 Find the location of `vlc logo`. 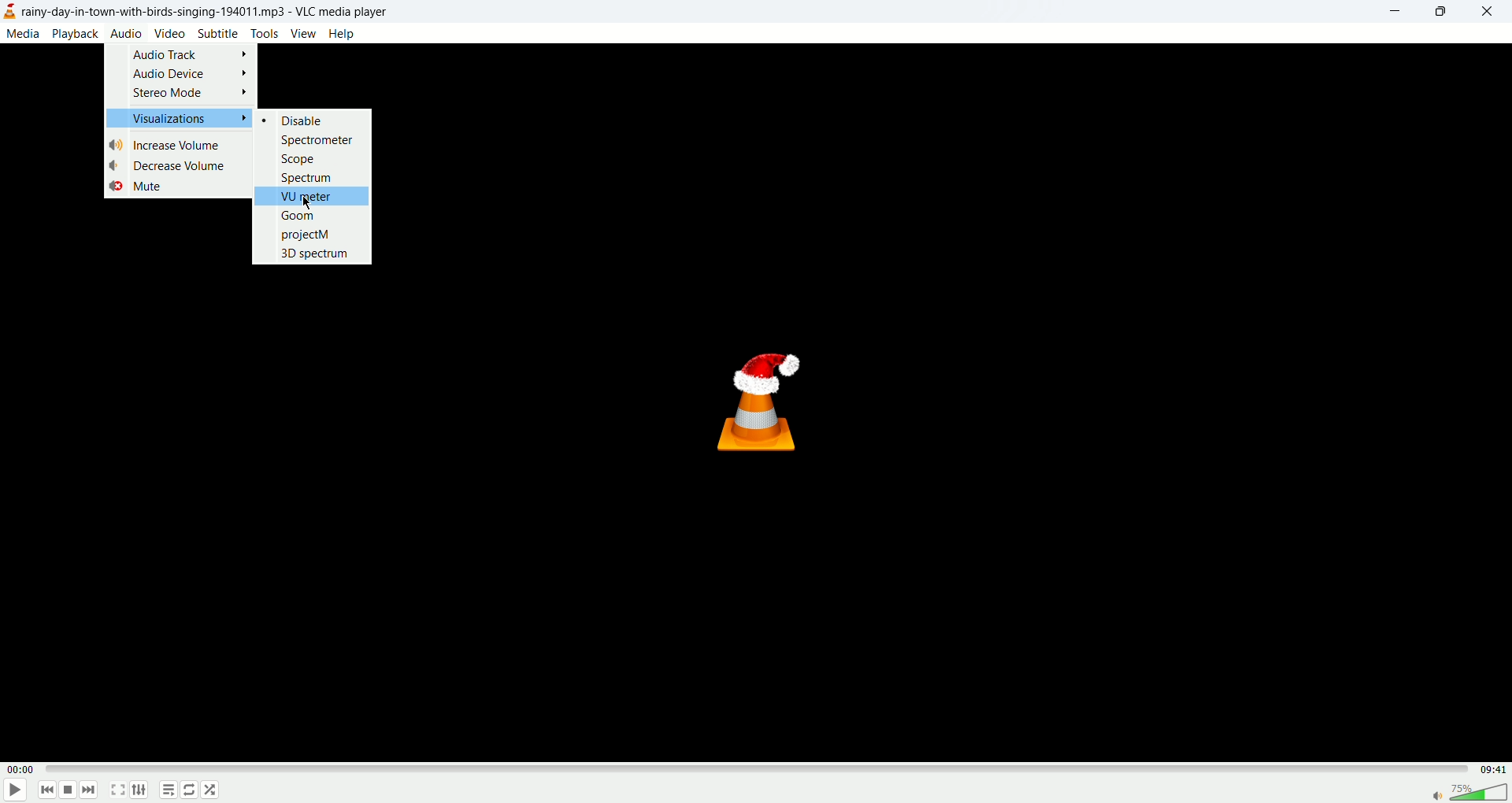

vlc logo is located at coordinates (765, 407).